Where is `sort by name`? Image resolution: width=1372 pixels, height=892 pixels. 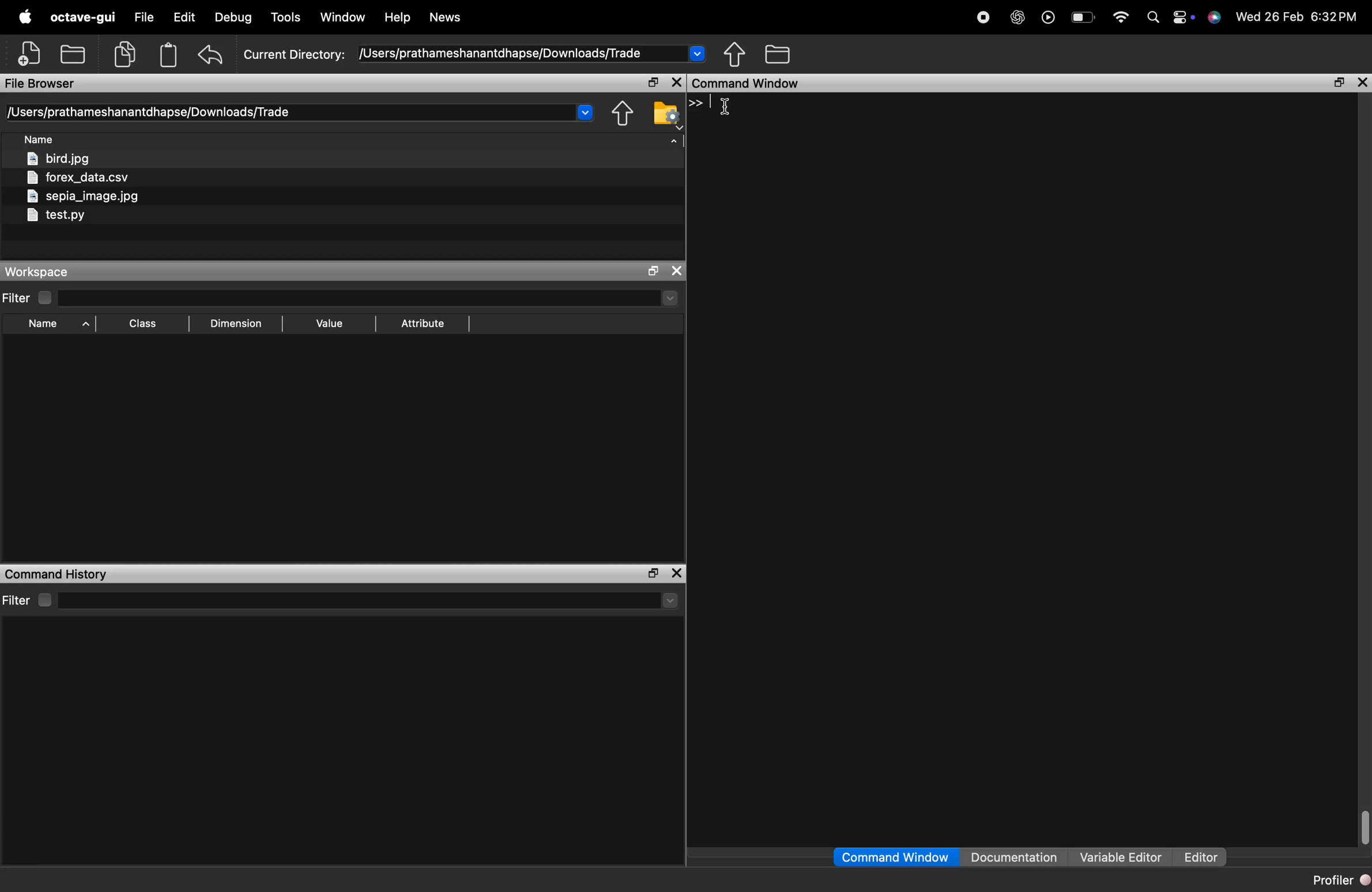 sort by name is located at coordinates (43, 141).